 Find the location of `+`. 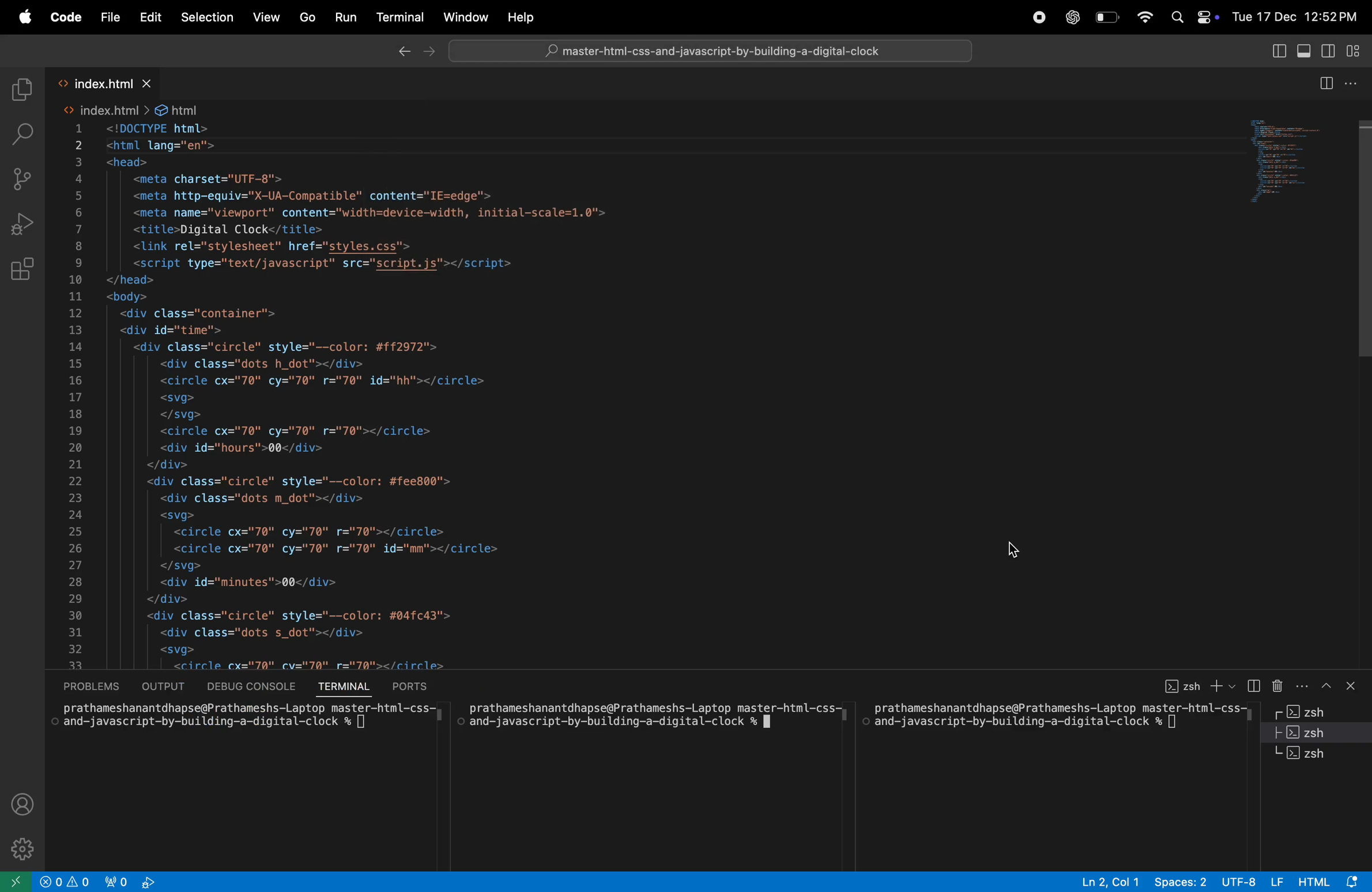

+ is located at coordinates (1223, 685).